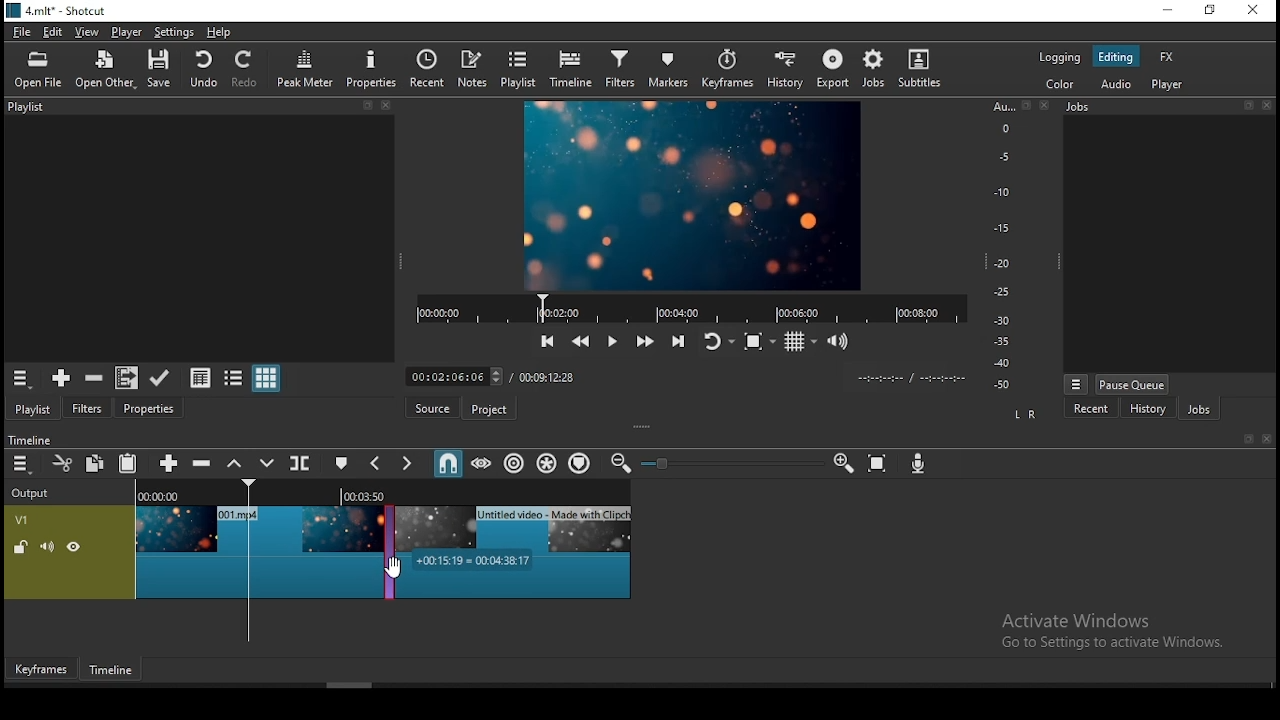  Describe the element at coordinates (619, 464) in the screenshot. I see `zoom timeline out` at that location.